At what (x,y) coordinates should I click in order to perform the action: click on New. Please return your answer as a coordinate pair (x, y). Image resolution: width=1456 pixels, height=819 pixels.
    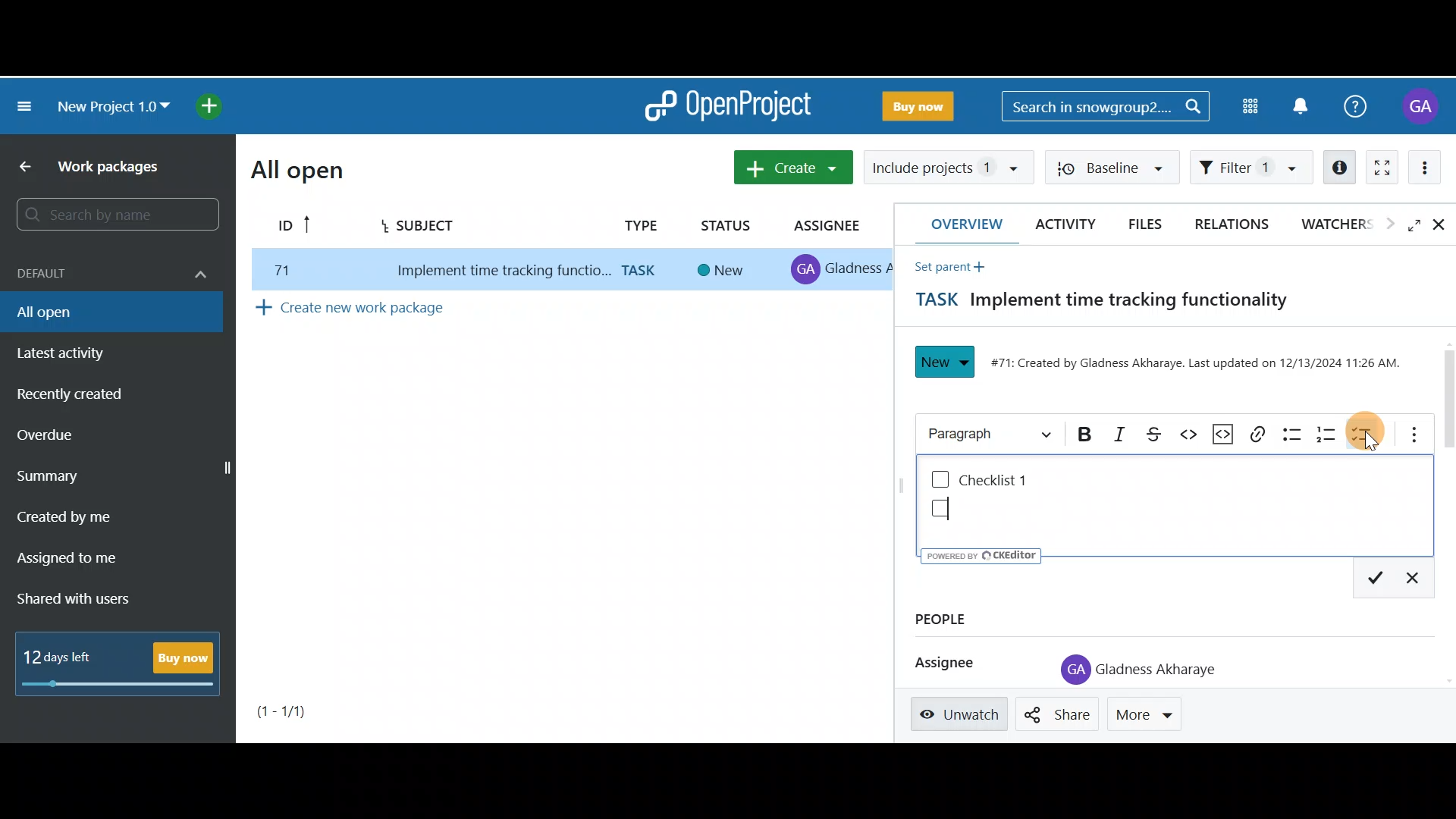
    Looking at the image, I should click on (946, 362).